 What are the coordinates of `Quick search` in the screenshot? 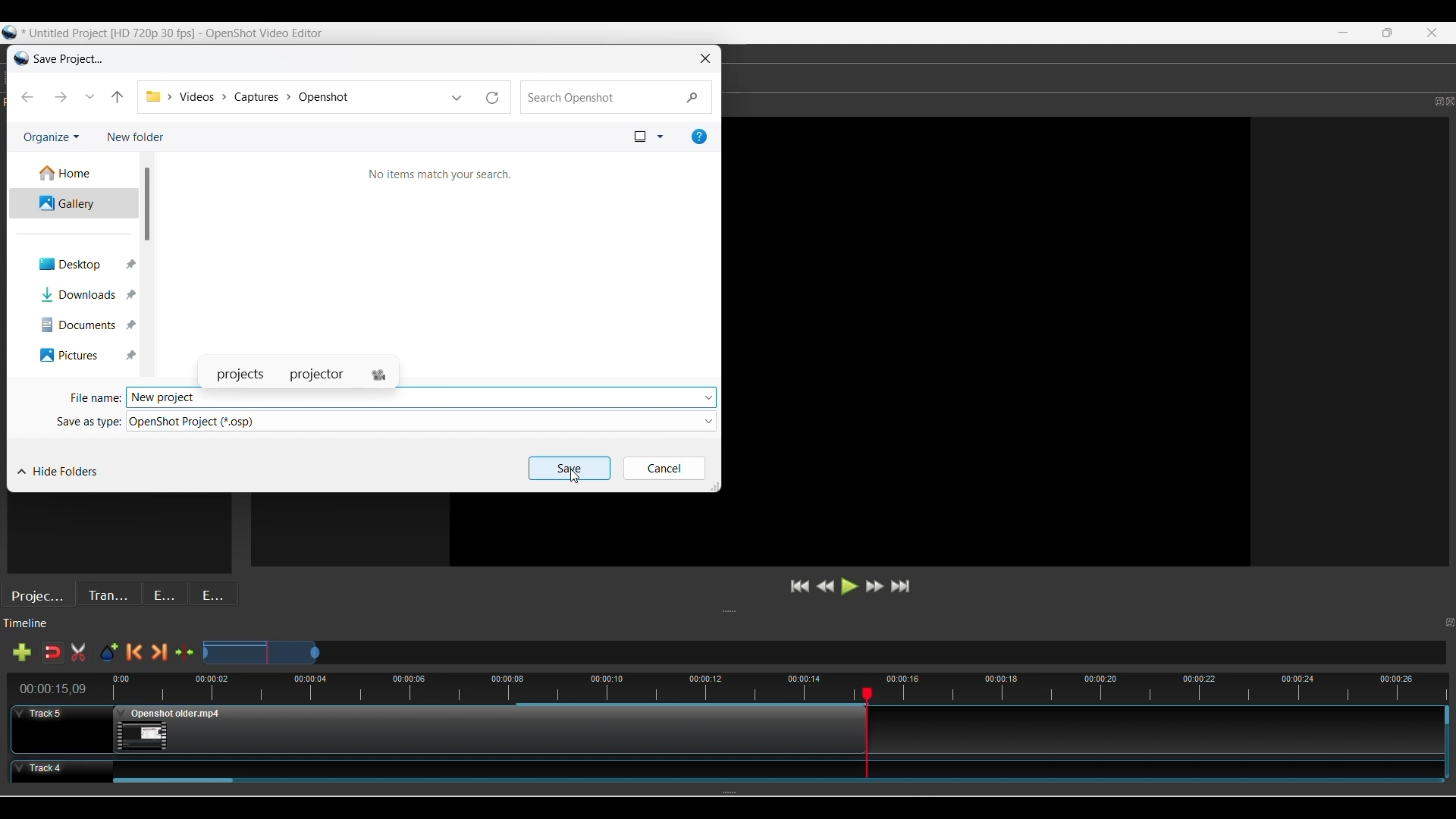 It's located at (614, 96).